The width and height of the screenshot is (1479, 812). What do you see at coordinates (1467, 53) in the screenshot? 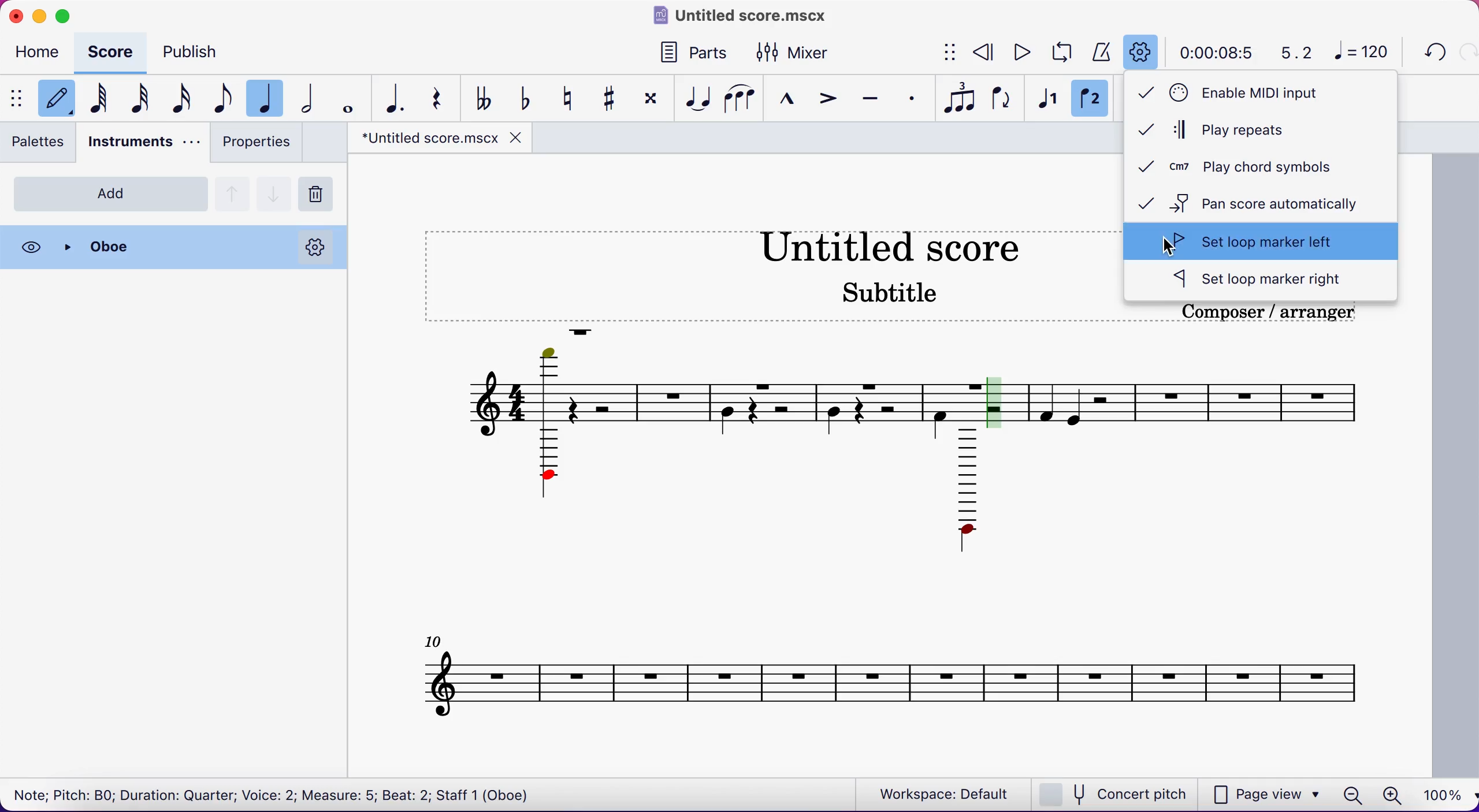
I see `redo` at bounding box center [1467, 53].